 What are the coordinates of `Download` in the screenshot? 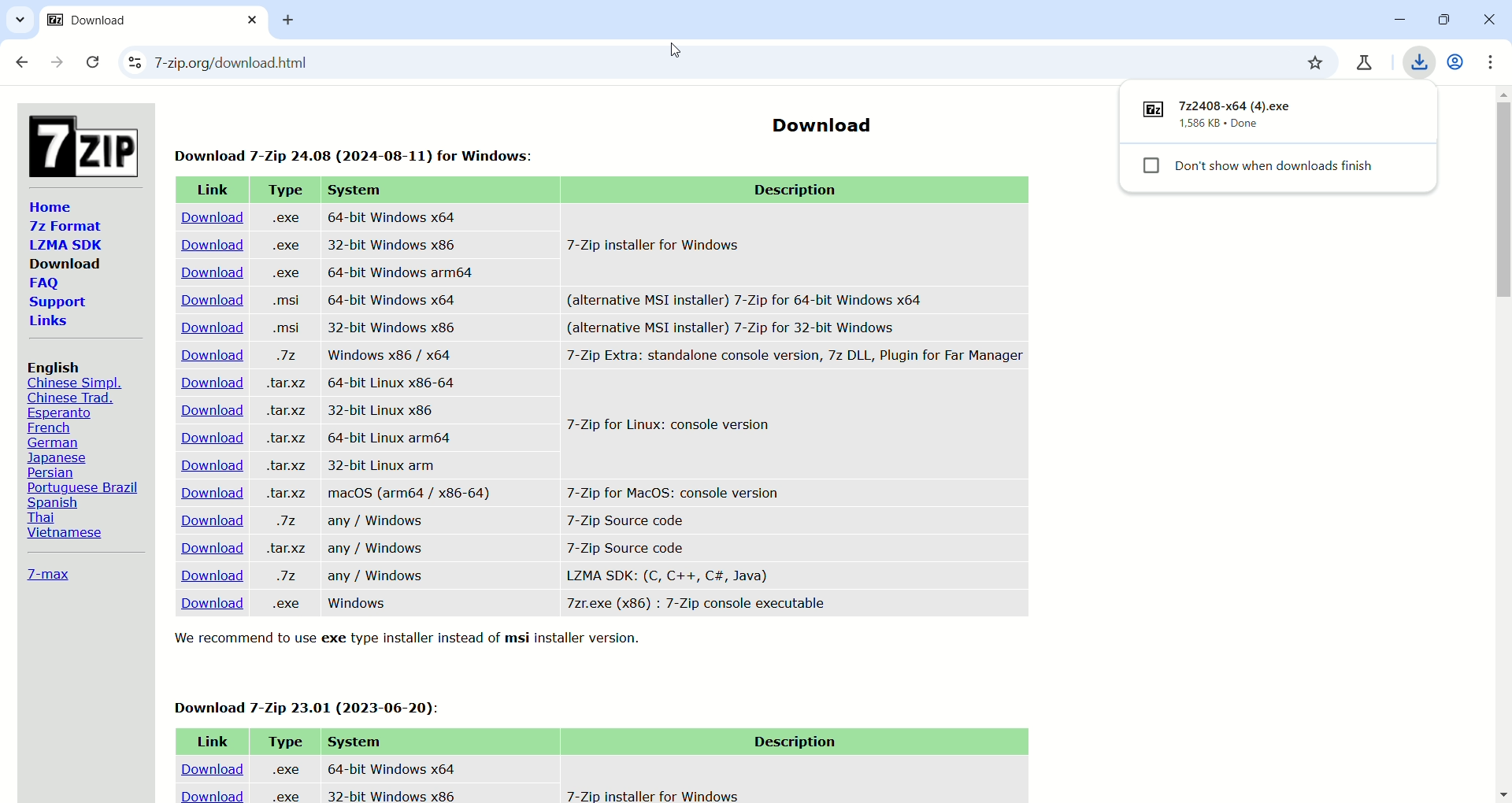 It's located at (65, 263).